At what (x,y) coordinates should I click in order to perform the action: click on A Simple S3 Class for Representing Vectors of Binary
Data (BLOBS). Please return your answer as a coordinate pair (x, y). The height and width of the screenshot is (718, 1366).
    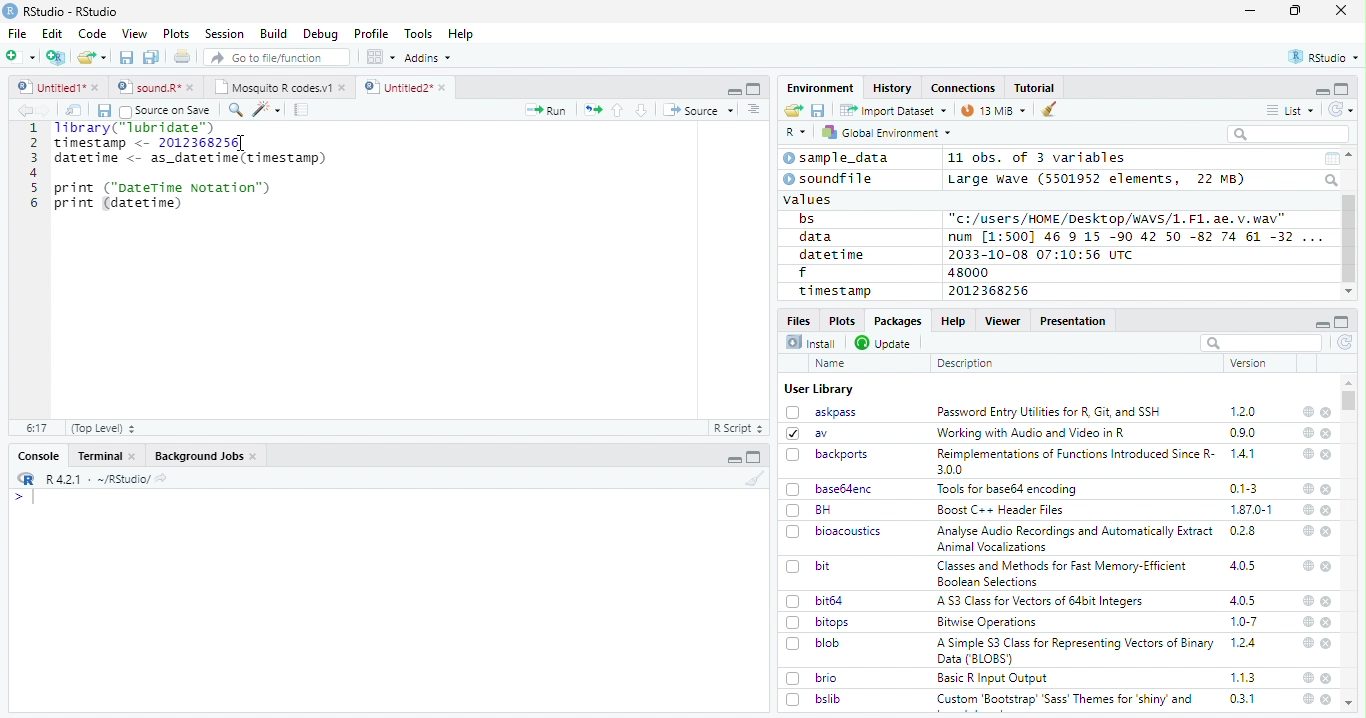
    Looking at the image, I should click on (1077, 650).